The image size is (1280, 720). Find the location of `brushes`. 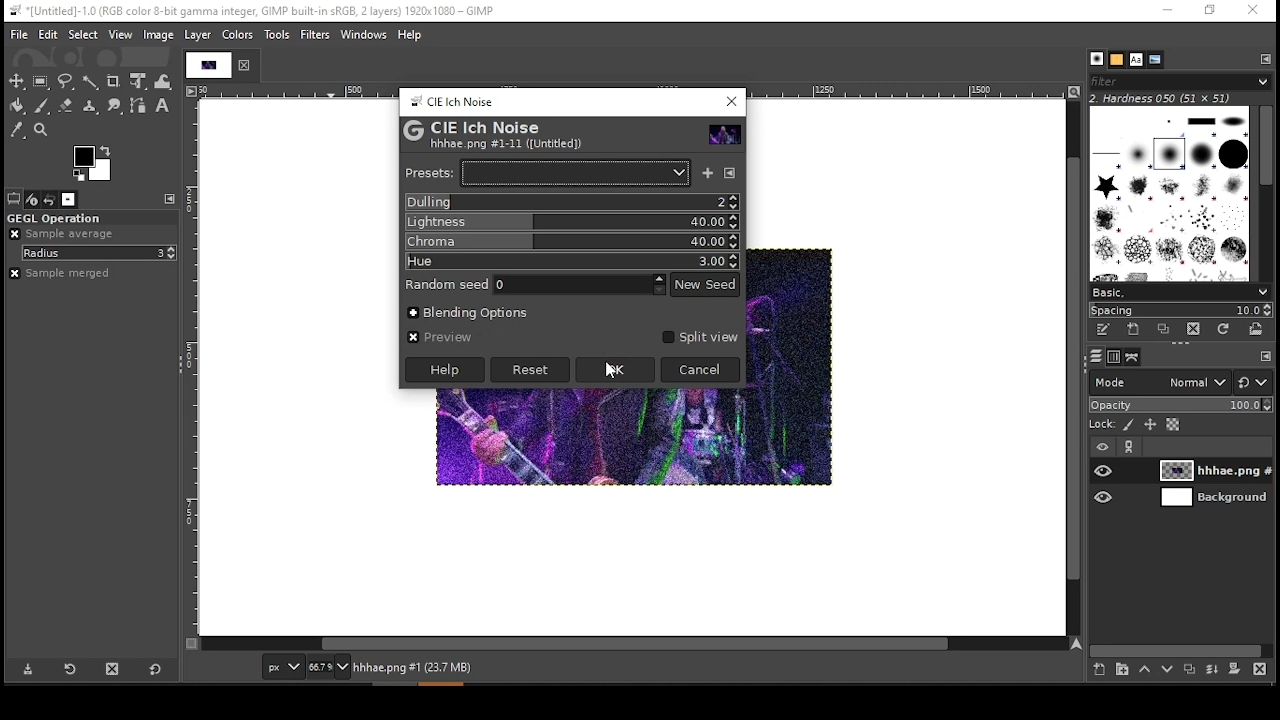

brushes is located at coordinates (1171, 194).